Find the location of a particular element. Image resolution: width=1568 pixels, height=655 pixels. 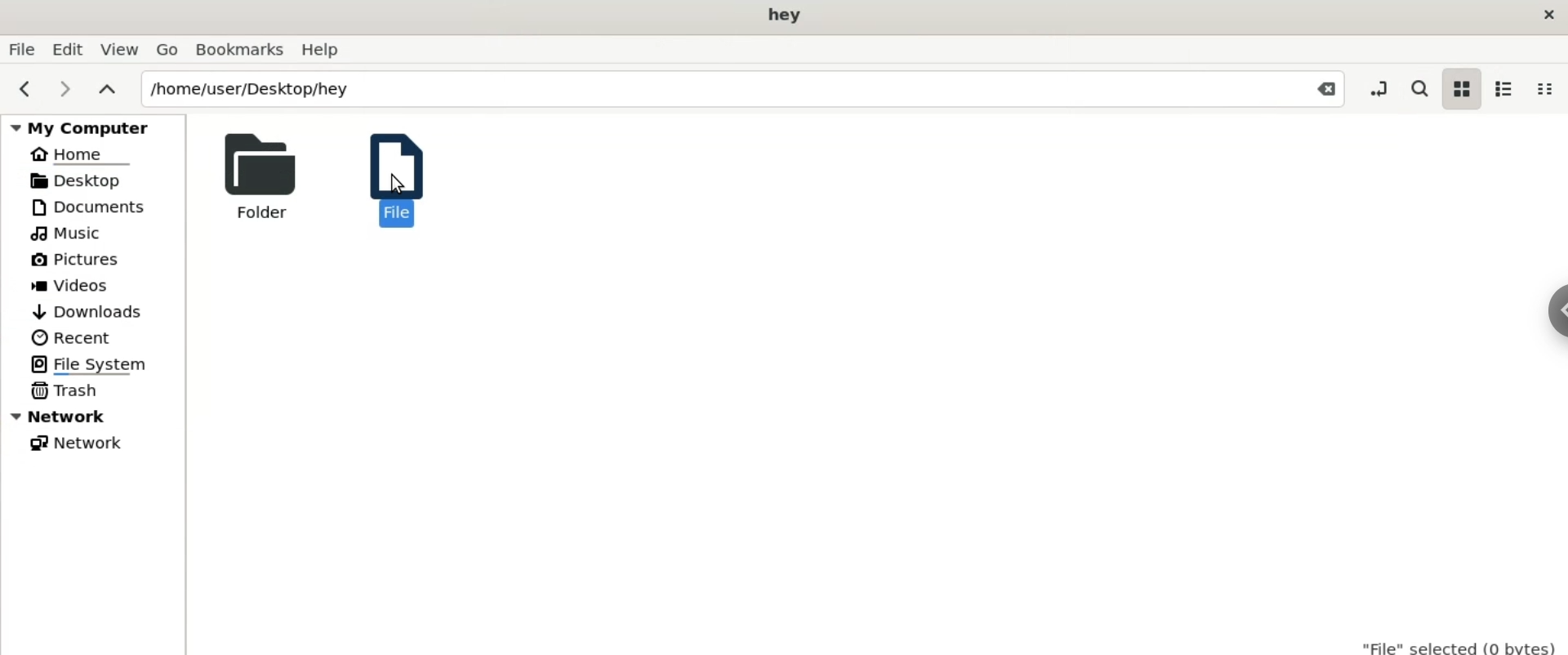

downloads is located at coordinates (87, 312).